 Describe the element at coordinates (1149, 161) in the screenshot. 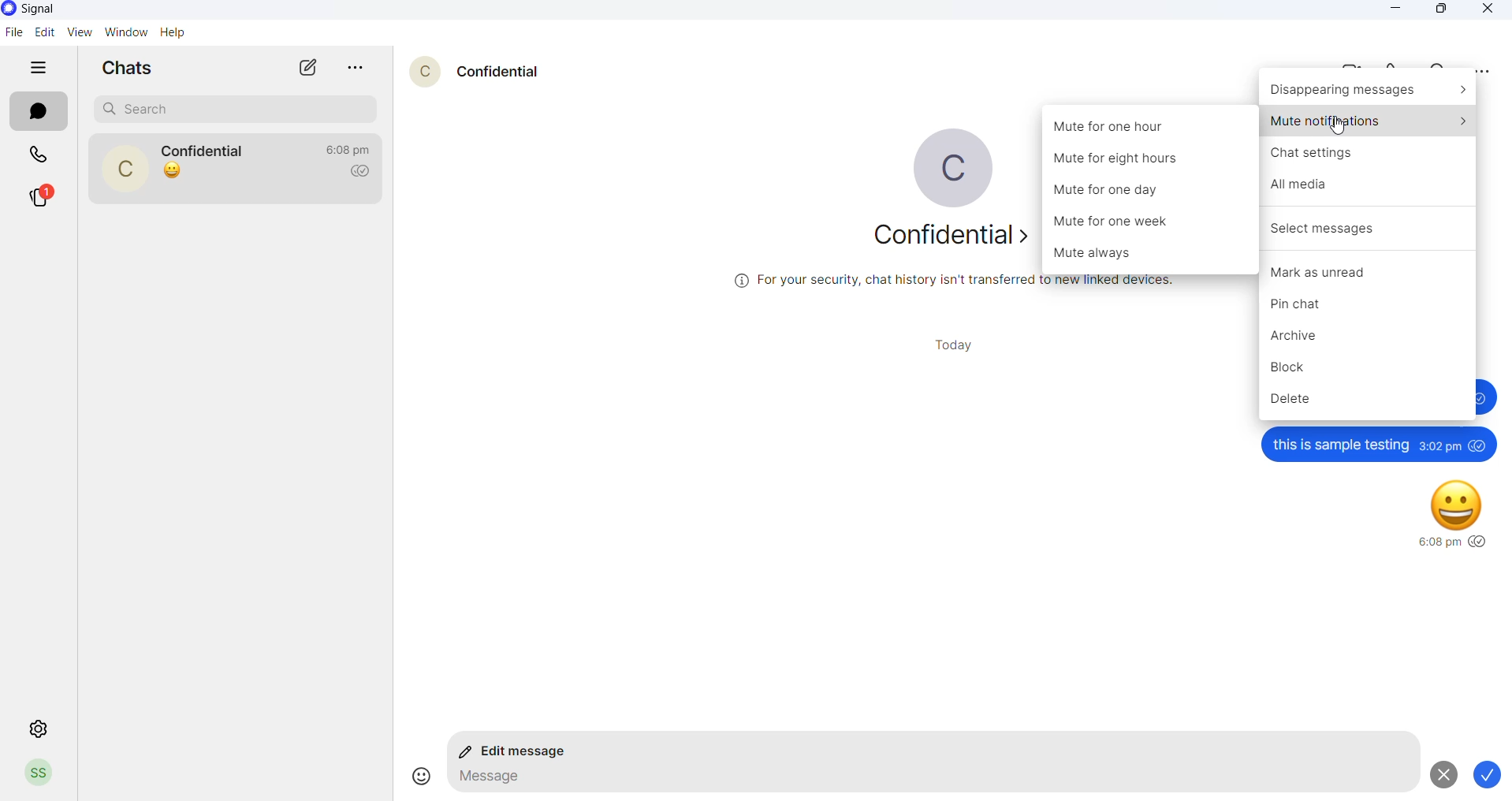

I see `mute for eight hours` at that location.